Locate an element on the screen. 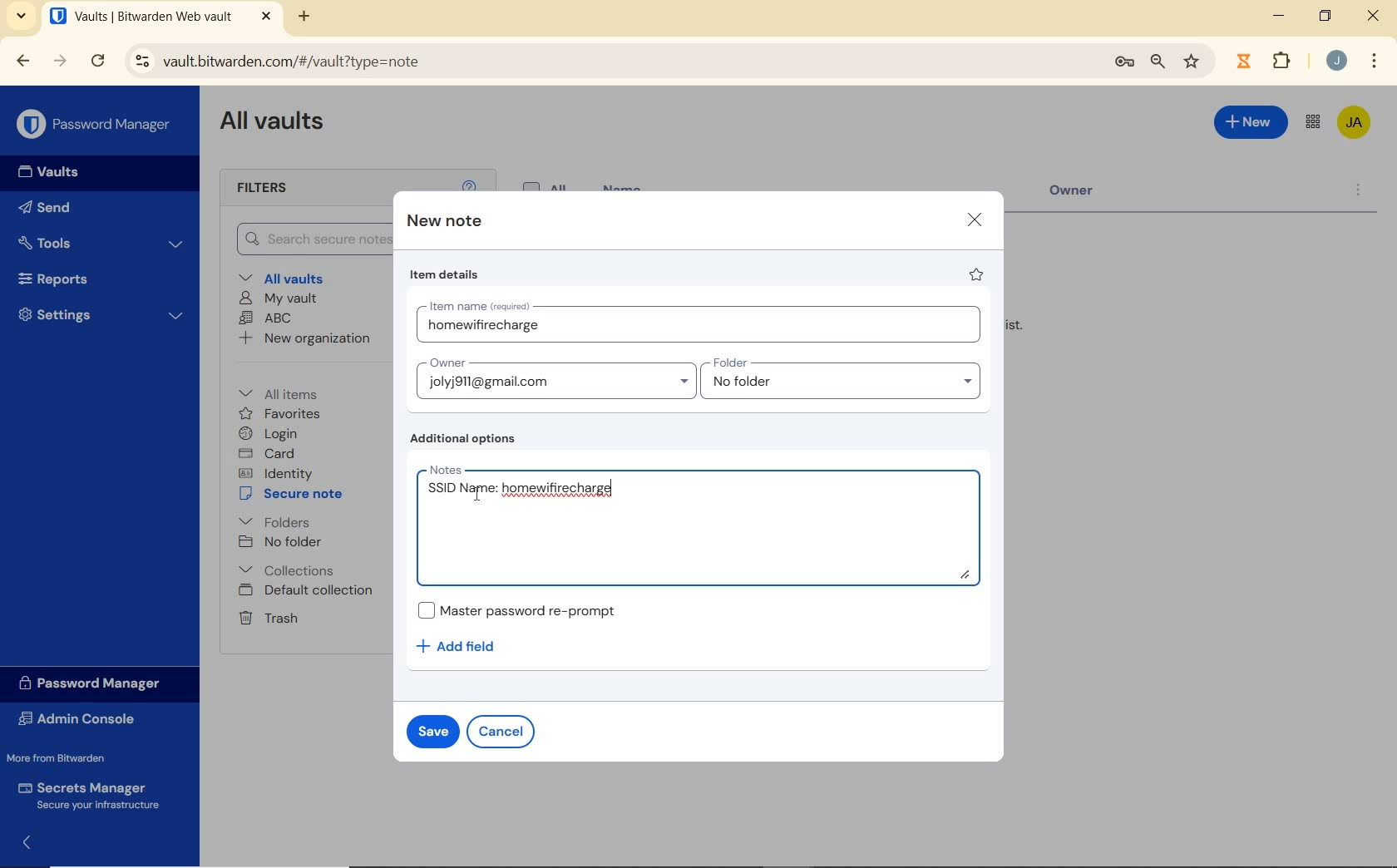 This screenshot has width=1397, height=868. Vaults is located at coordinates (43, 172).